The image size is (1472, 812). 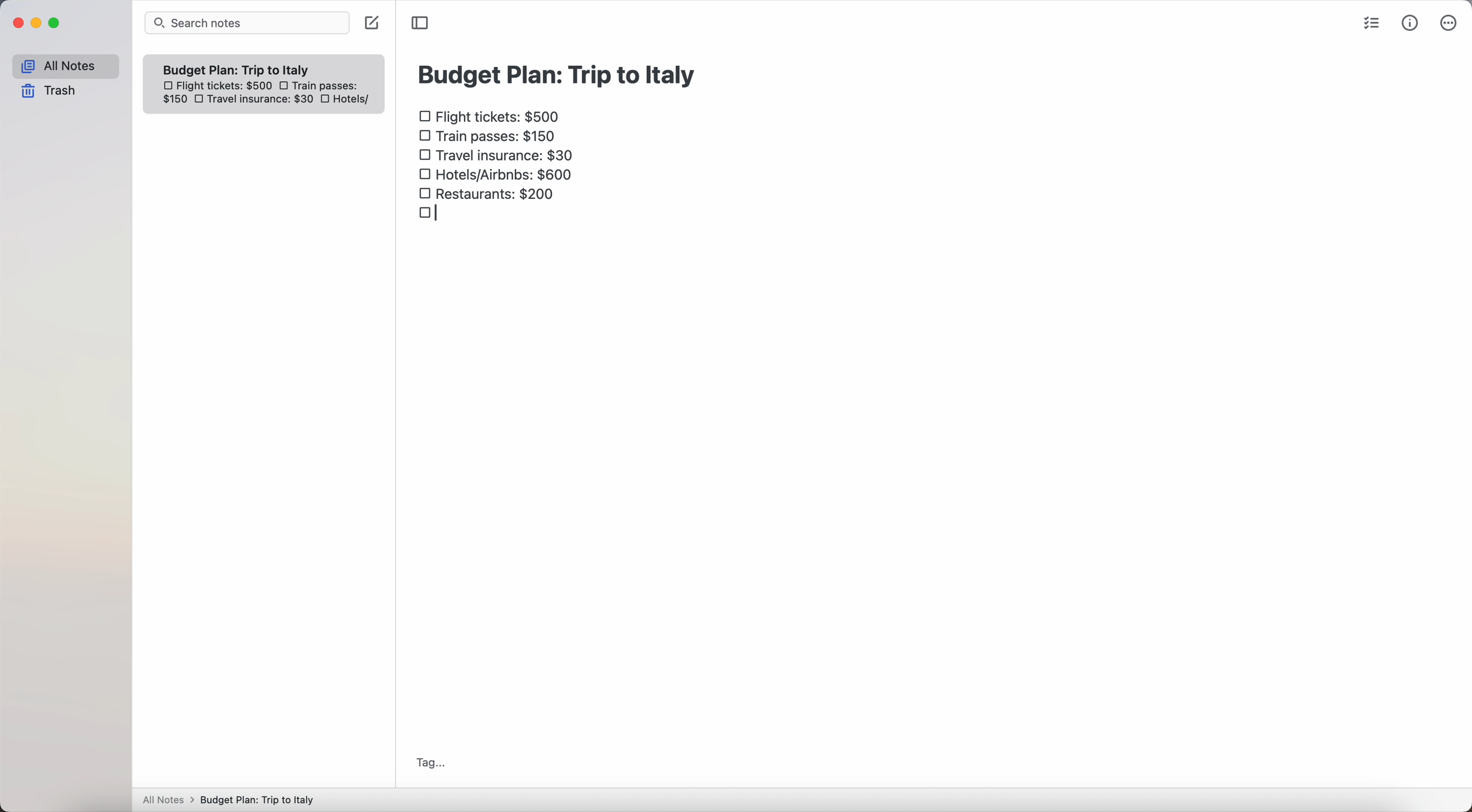 I want to click on hotels/airbnbs: $600 checkbox, so click(x=501, y=172).